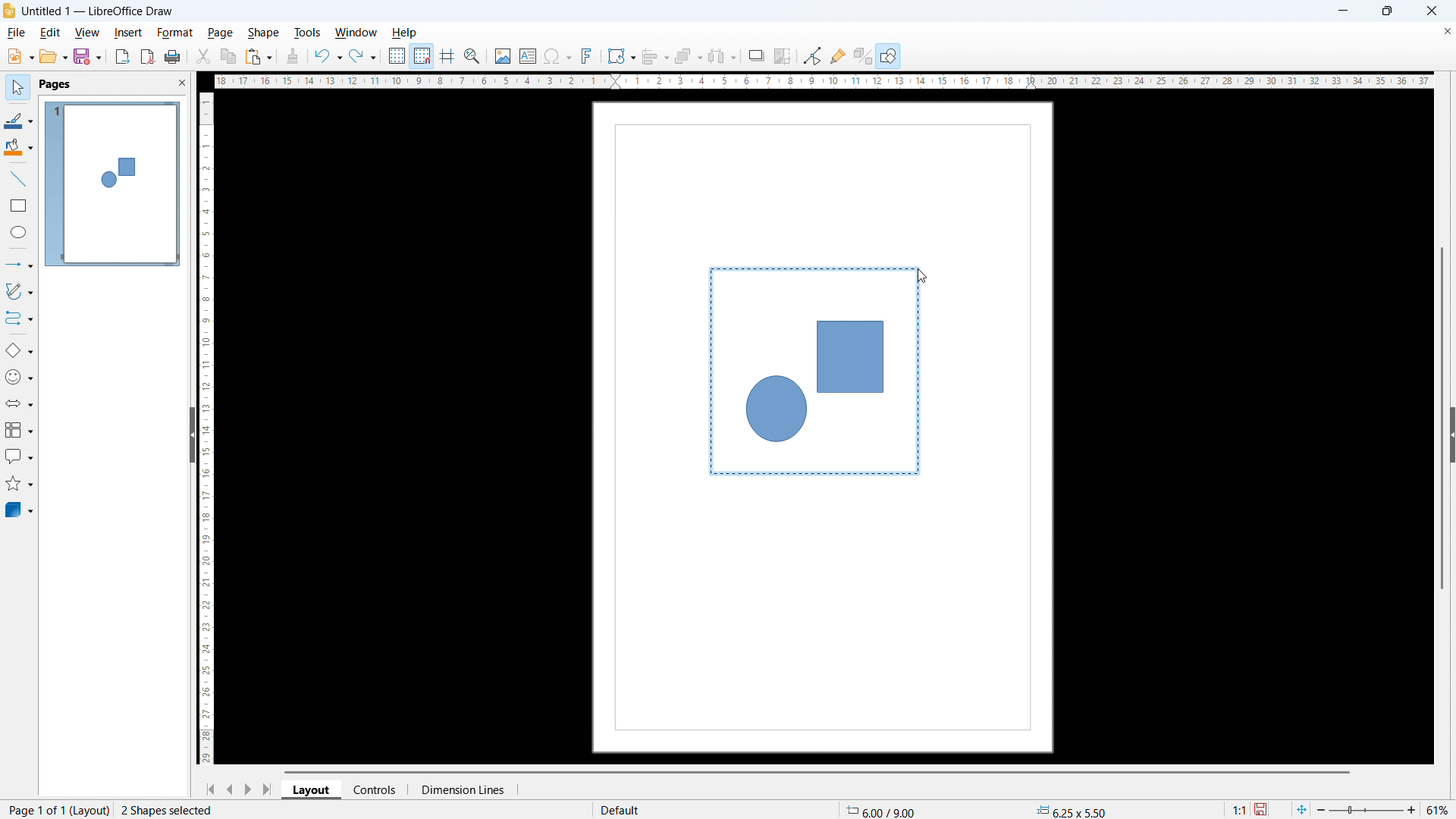 This screenshot has width=1456, height=819. What do you see at coordinates (397, 56) in the screenshot?
I see `show grid` at bounding box center [397, 56].